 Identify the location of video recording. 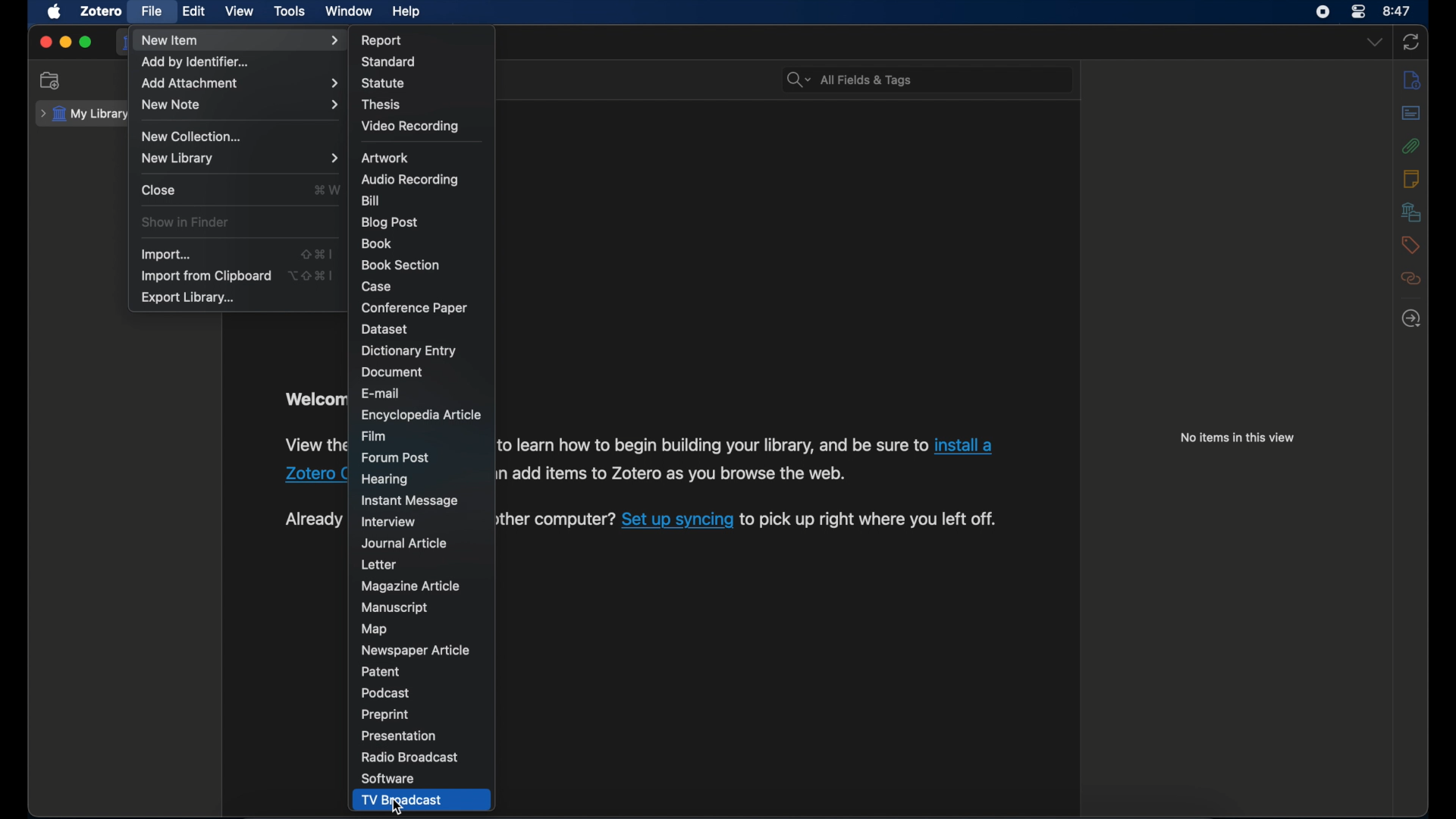
(409, 126).